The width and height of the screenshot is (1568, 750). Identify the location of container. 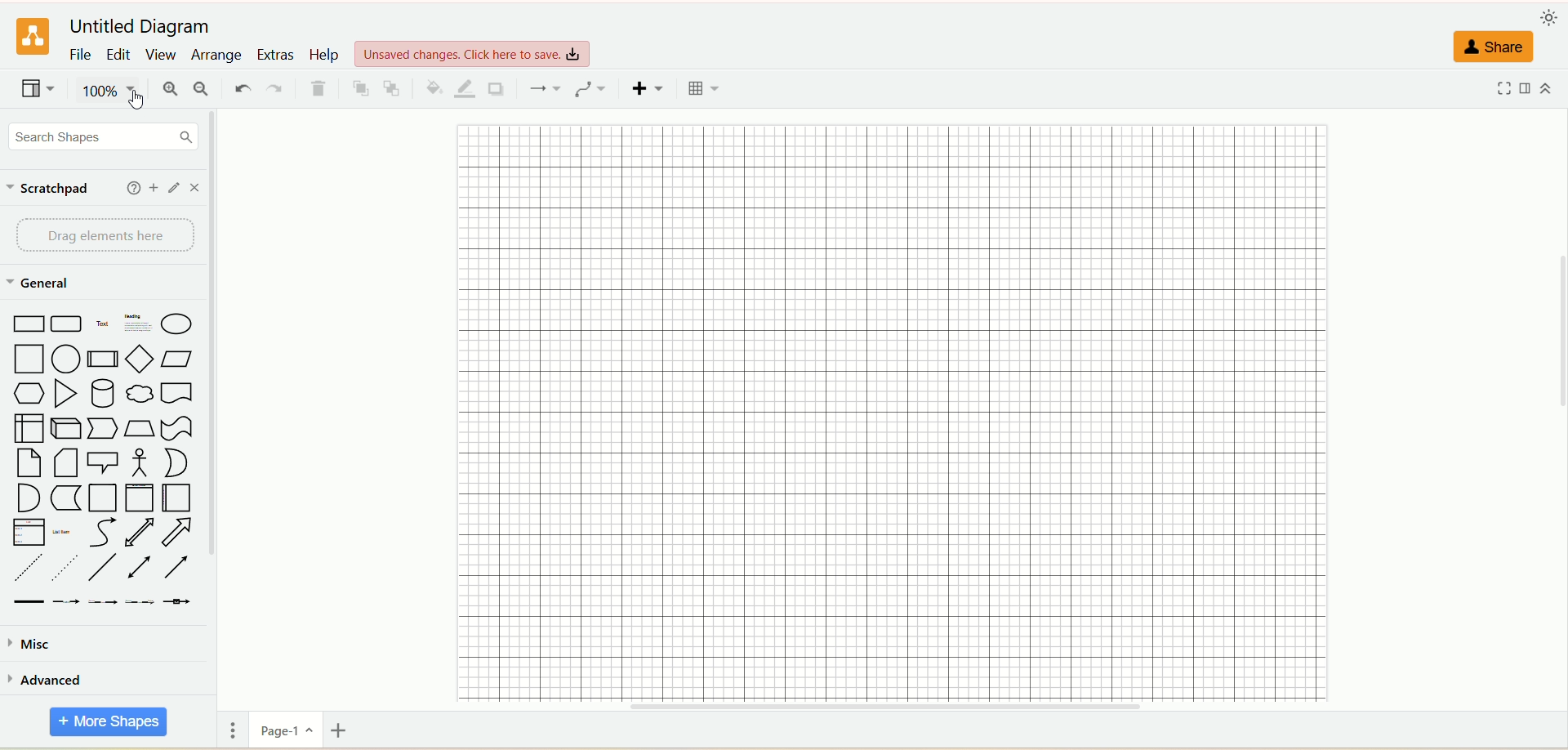
(104, 498).